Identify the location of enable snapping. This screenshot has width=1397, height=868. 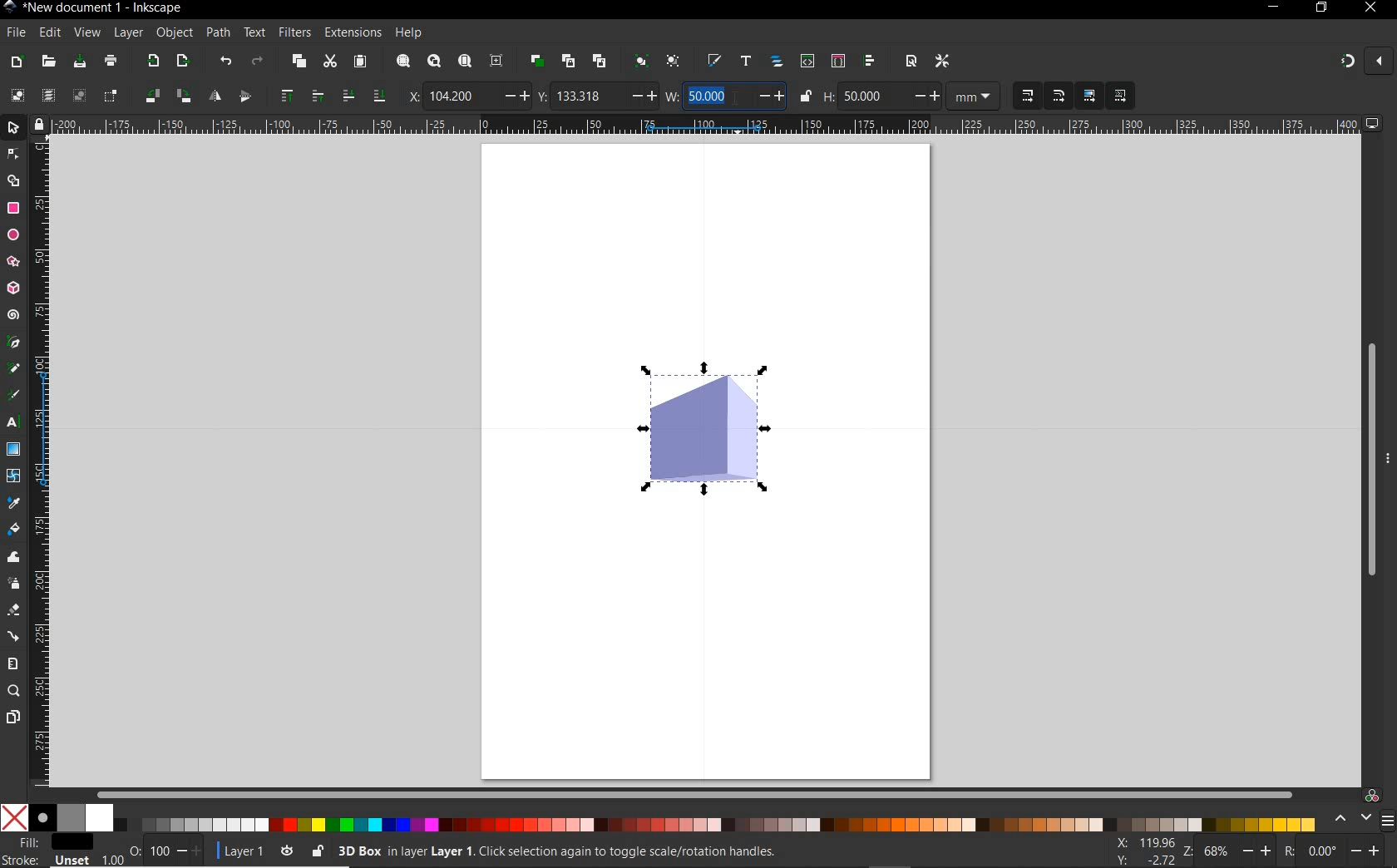
(1346, 62).